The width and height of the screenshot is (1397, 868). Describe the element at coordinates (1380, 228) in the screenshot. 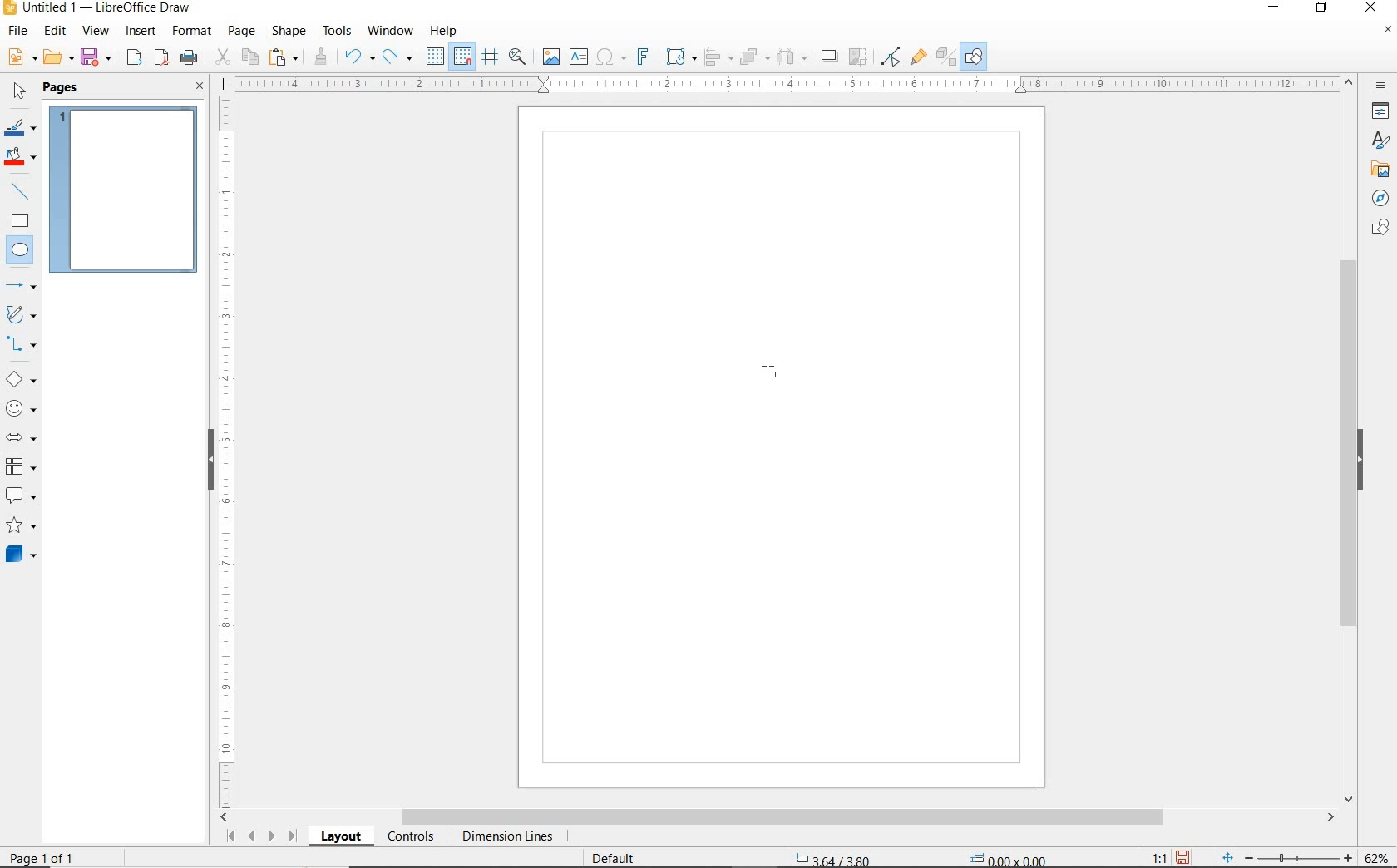

I see `SHAPES` at that location.